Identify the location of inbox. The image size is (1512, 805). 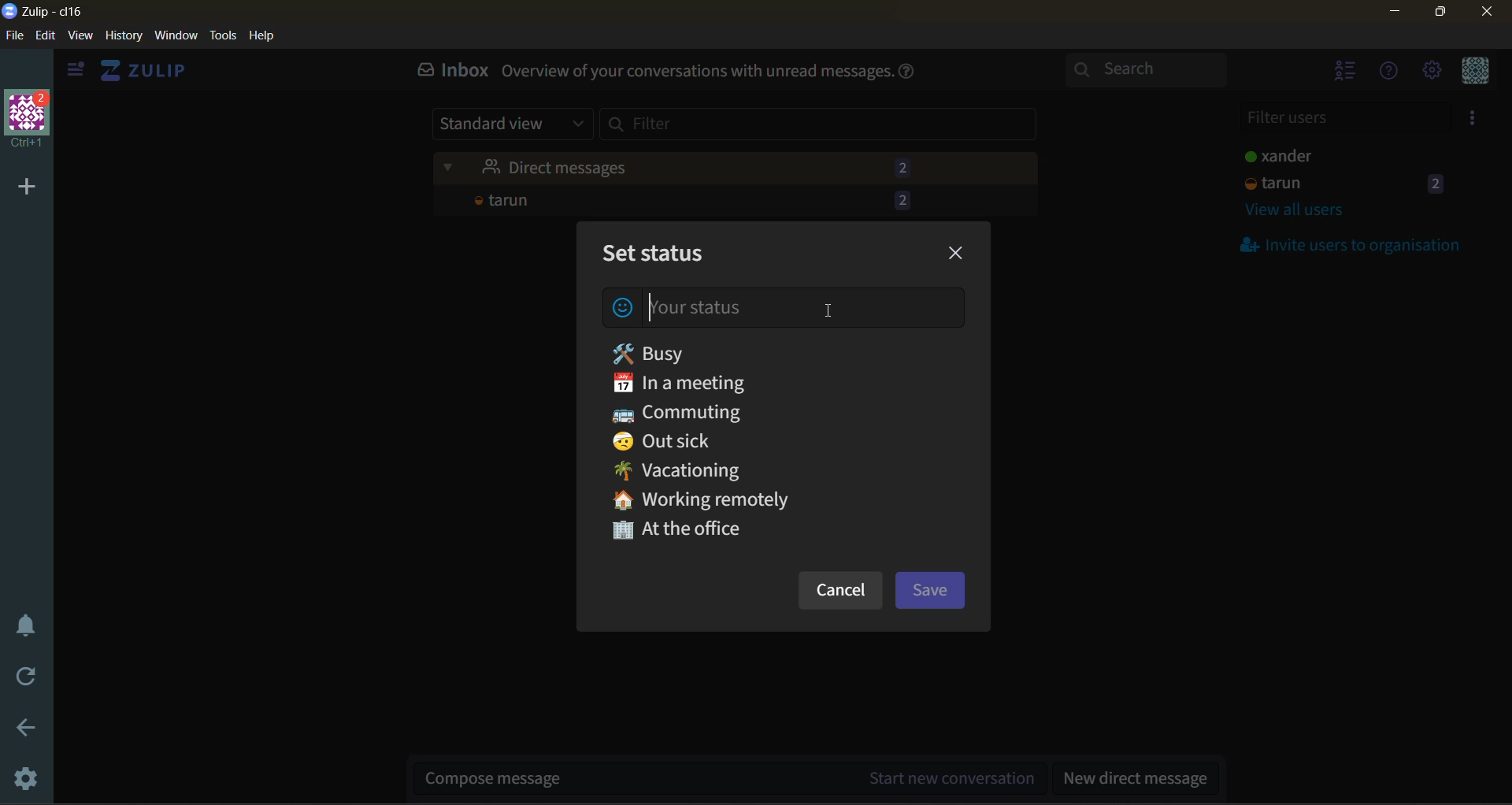
(448, 72).